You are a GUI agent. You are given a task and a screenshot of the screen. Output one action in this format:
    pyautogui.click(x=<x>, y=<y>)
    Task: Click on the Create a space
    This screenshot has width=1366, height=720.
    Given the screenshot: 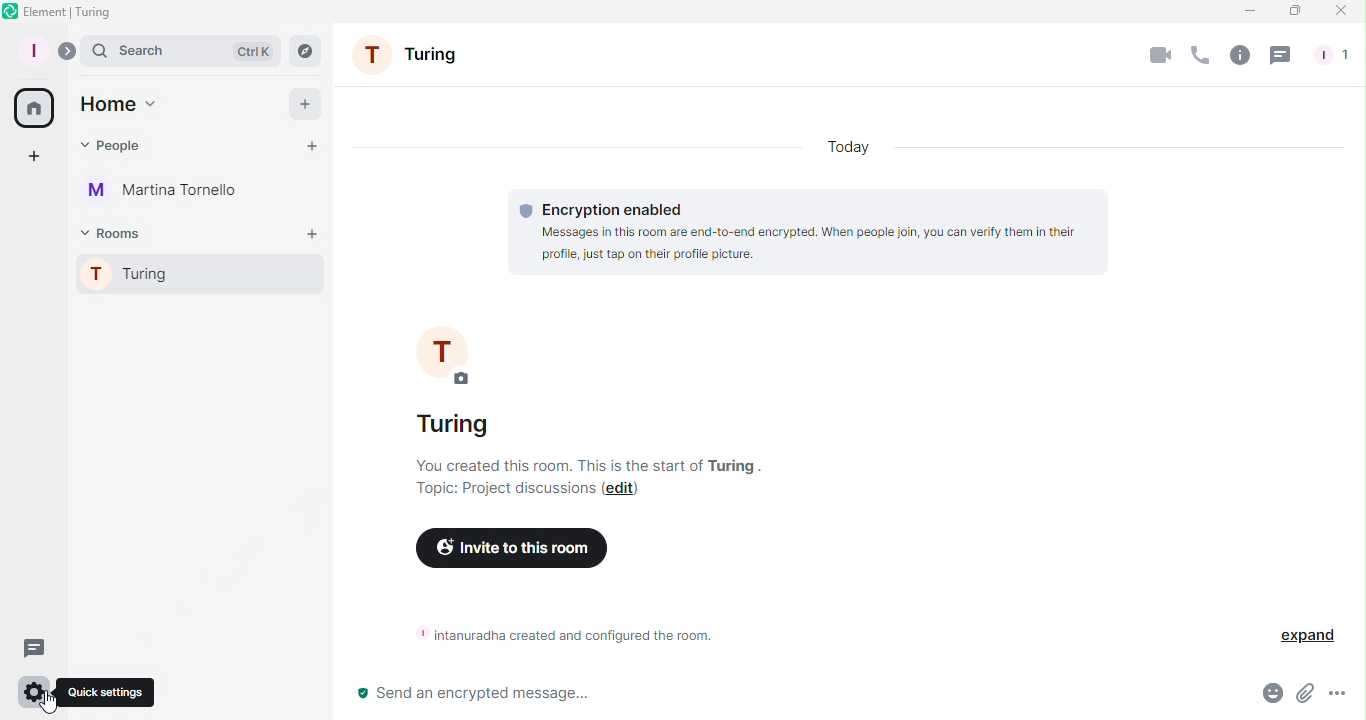 What is the action you would take?
    pyautogui.click(x=37, y=156)
    